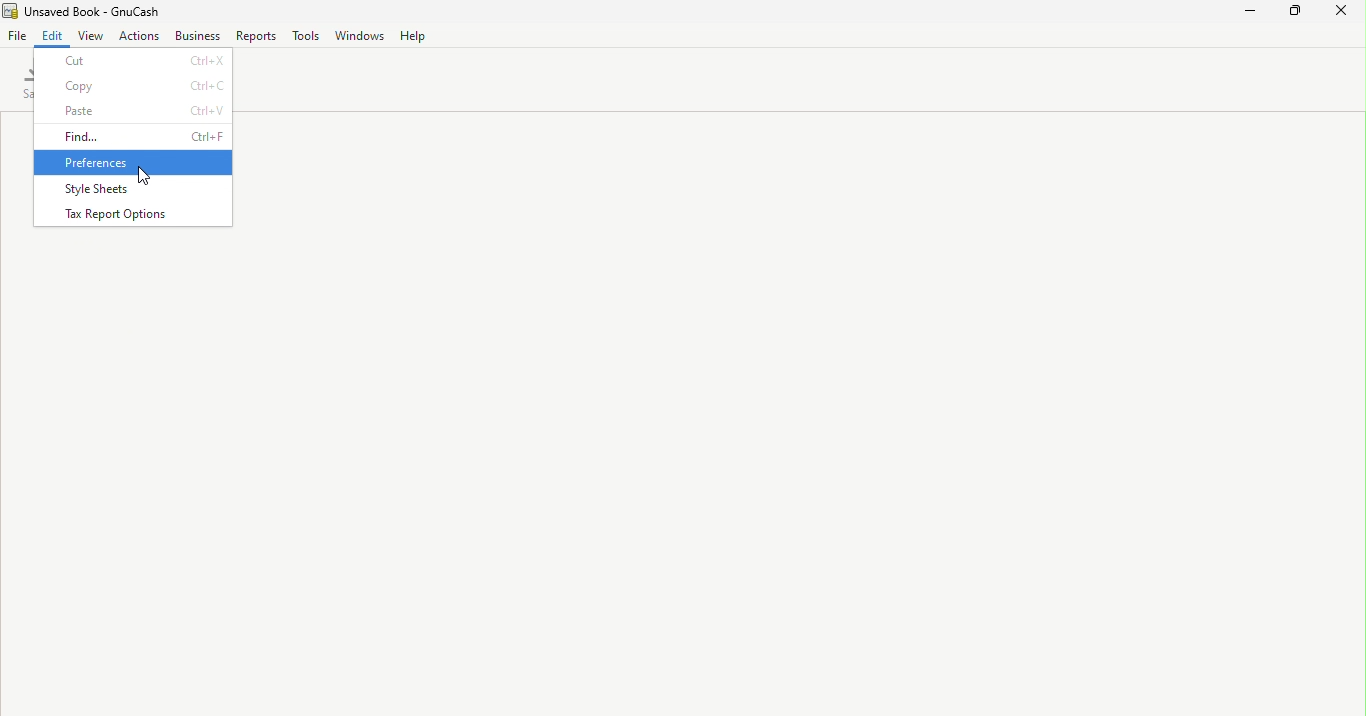 The image size is (1366, 716). What do you see at coordinates (52, 36) in the screenshot?
I see `Edit` at bounding box center [52, 36].